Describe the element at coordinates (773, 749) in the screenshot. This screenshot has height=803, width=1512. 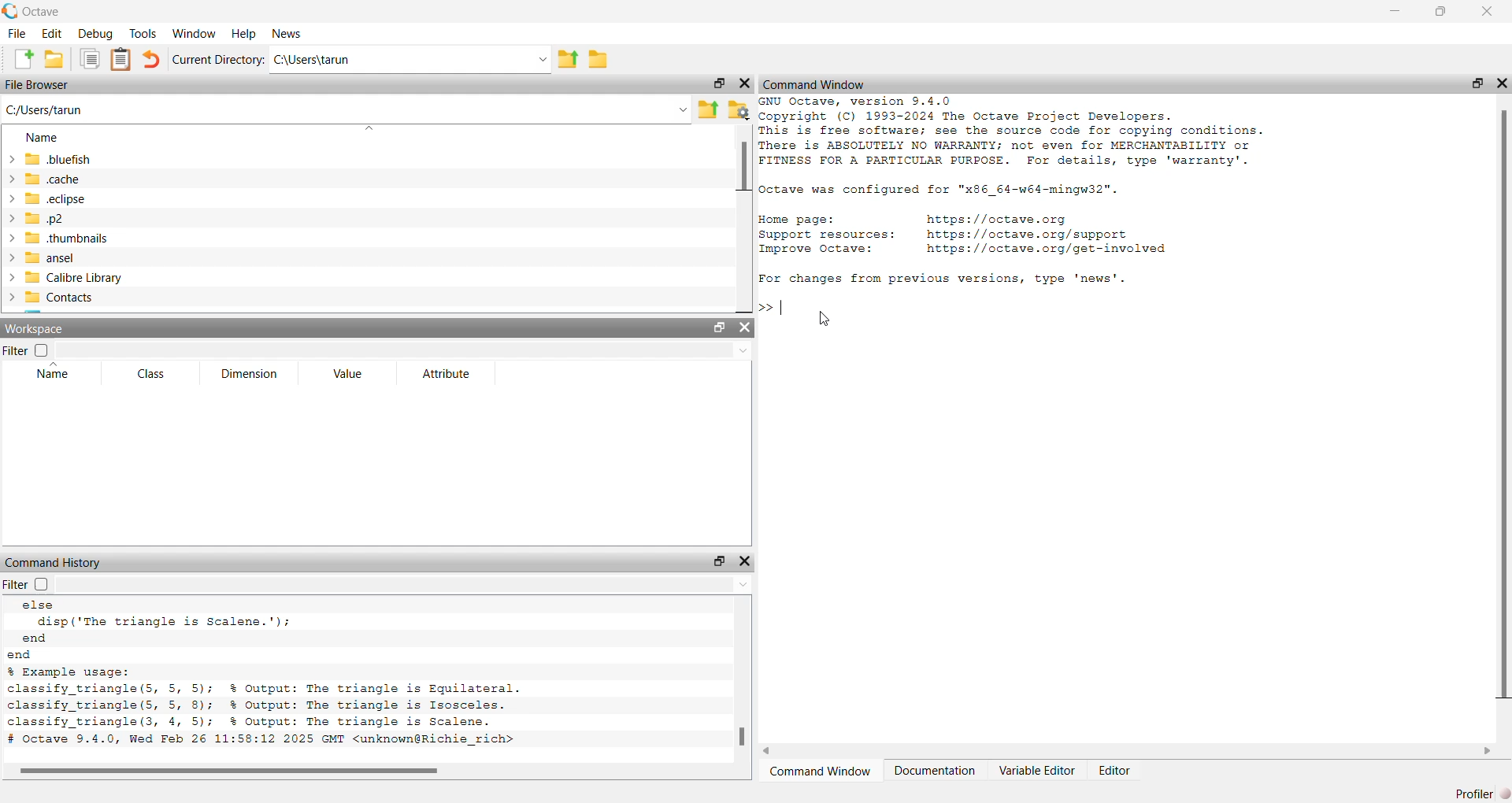
I see `move left` at that location.